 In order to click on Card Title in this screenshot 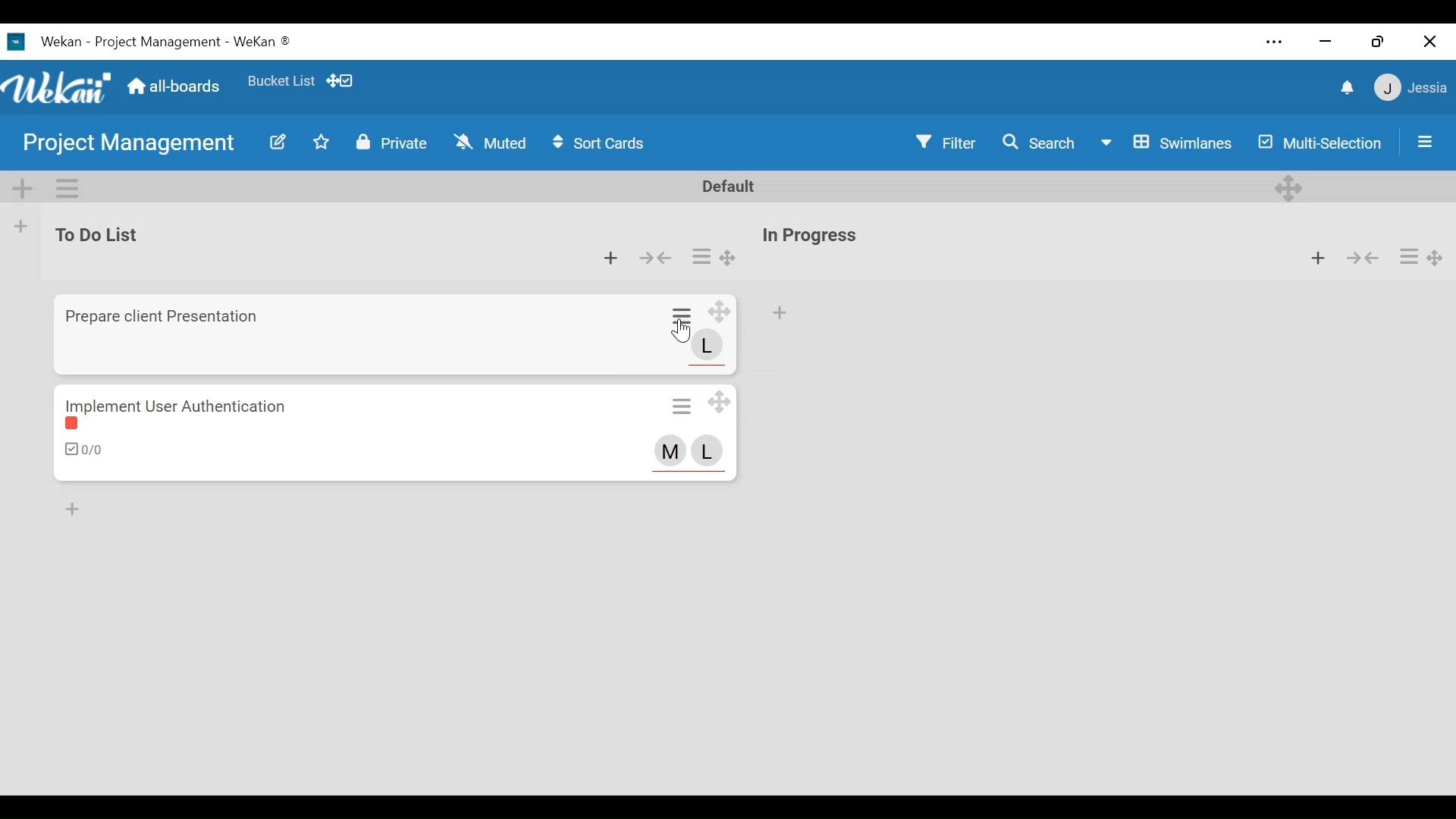, I will do `click(167, 316)`.